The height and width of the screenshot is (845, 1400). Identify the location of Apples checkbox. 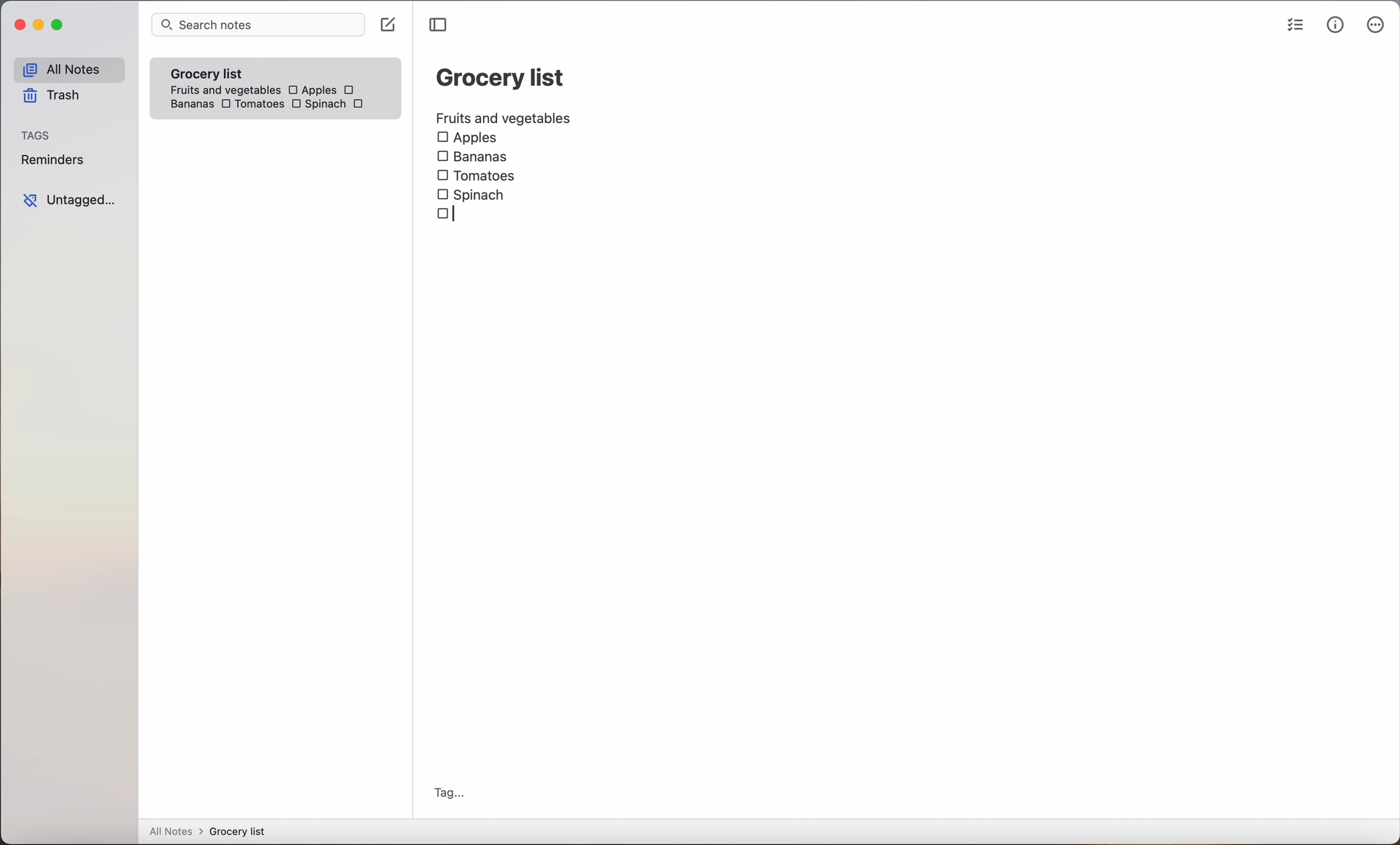
(467, 138).